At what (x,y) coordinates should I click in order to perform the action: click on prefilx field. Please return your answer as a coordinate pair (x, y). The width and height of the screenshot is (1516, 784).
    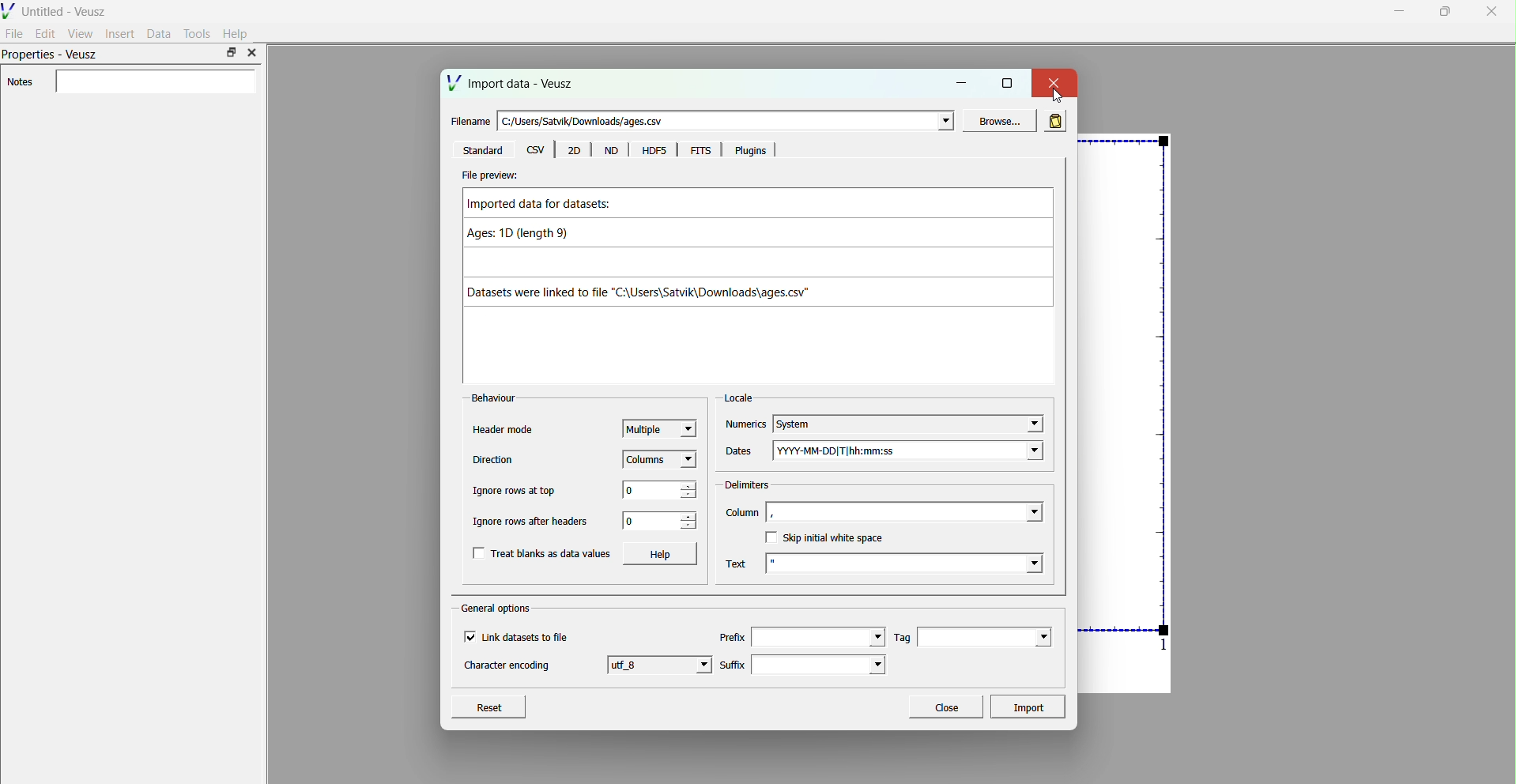
    Looking at the image, I should click on (816, 637).